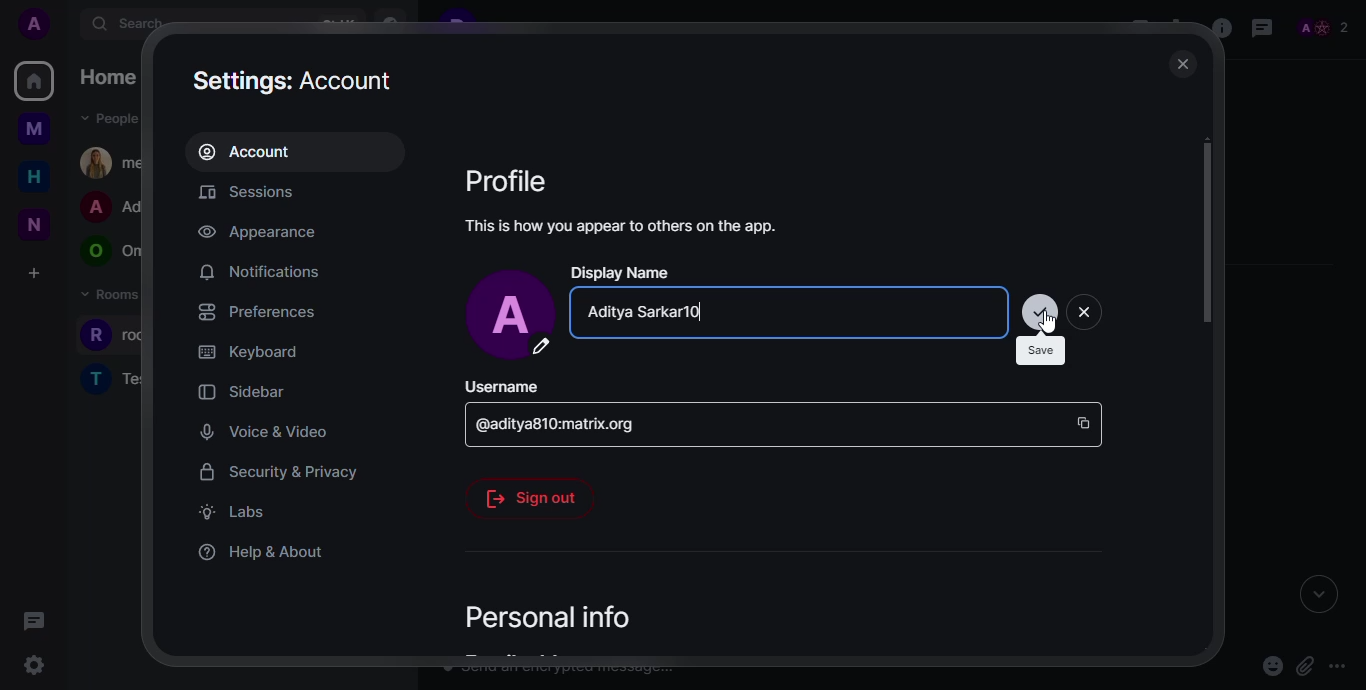  Describe the element at coordinates (540, 617) in the screenshot. I see `personal info` at that location.